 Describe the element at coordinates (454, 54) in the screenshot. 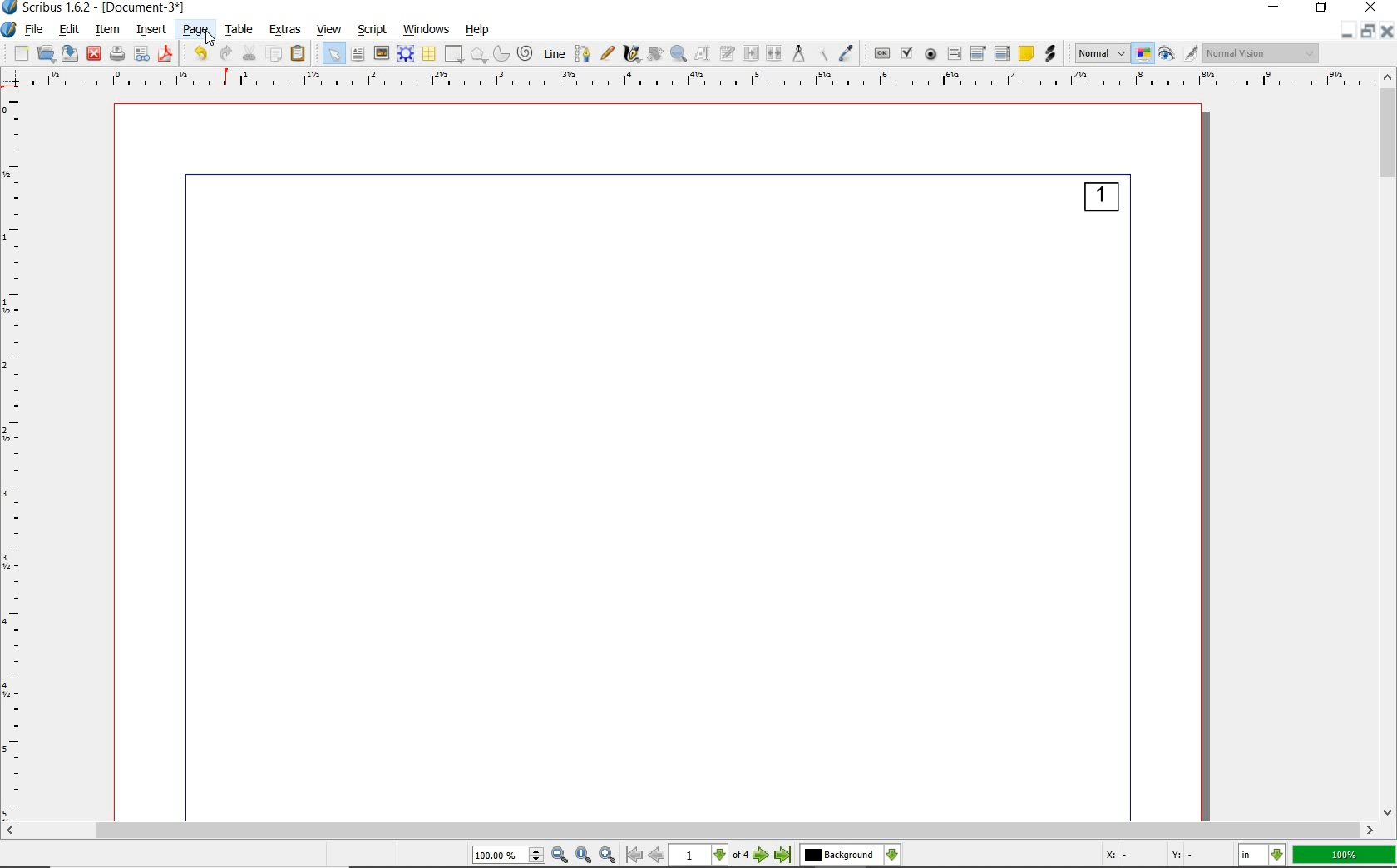

I see `shape` at that location.